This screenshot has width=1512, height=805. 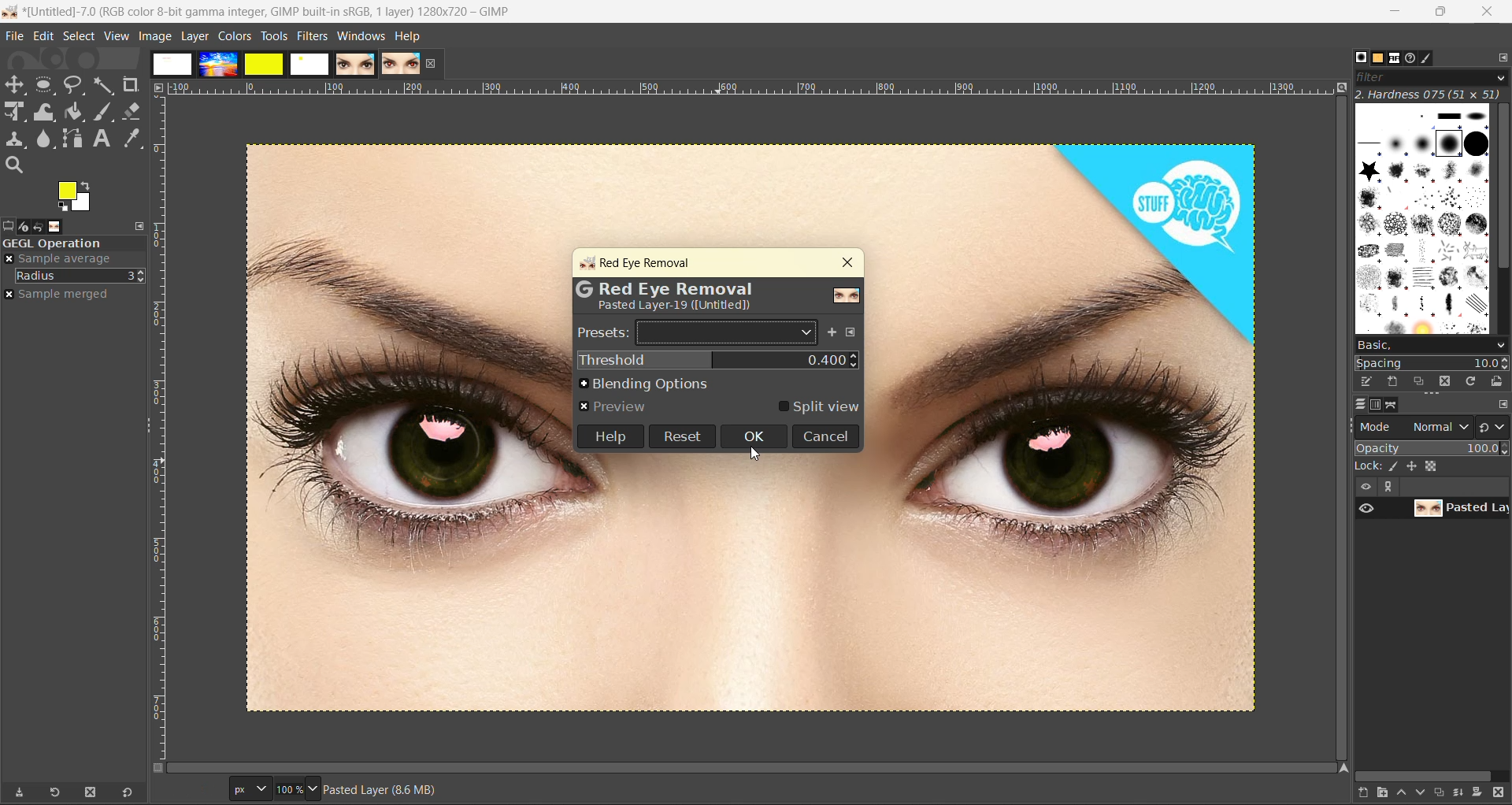 I want to click on layer, so click(x=194, y=37).